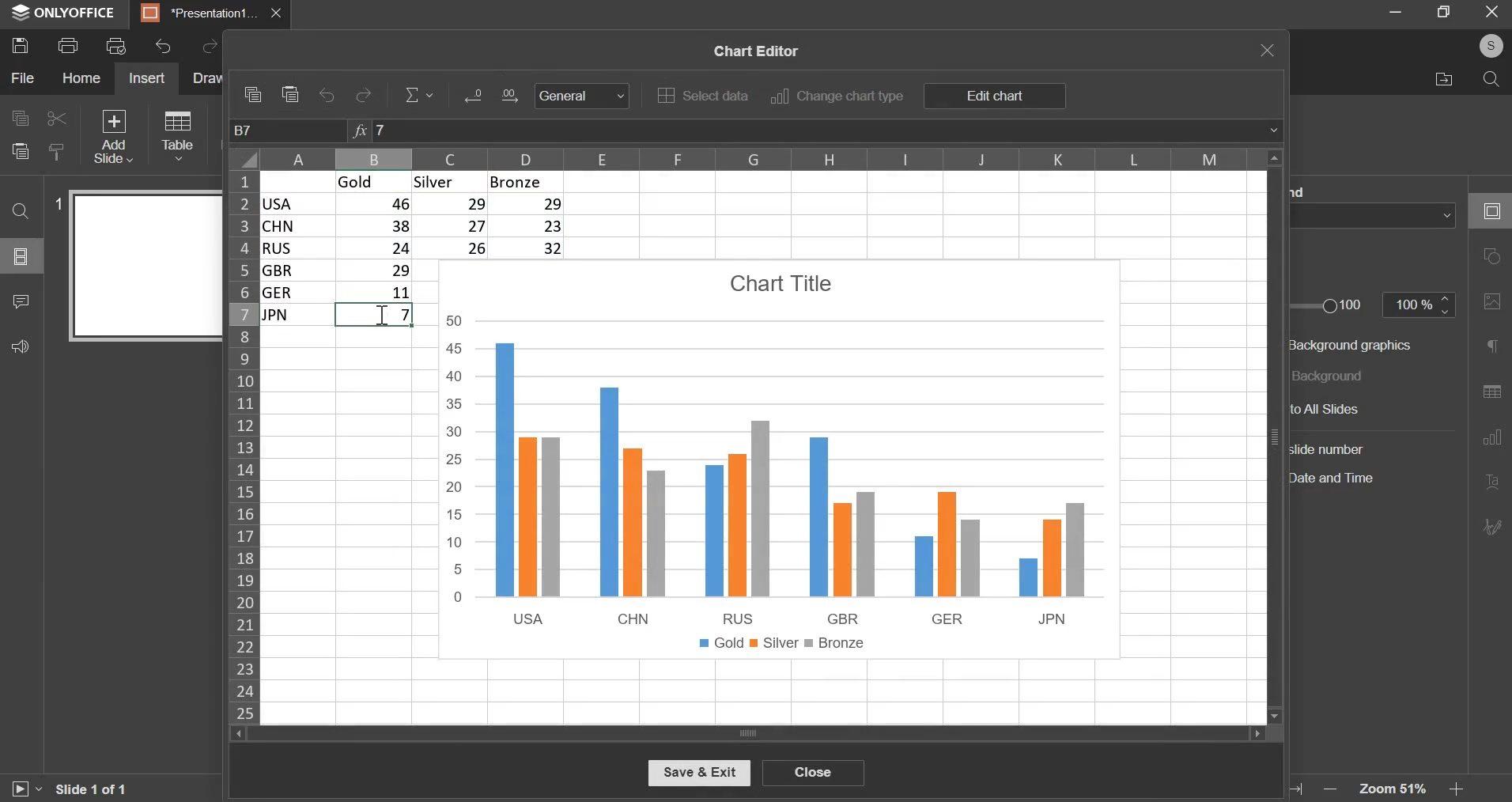 The width and height of the screenshot is (1512, 802). Describe the element at coordinates (1491, 305) in the screenshot. I see `image settings` at that location.